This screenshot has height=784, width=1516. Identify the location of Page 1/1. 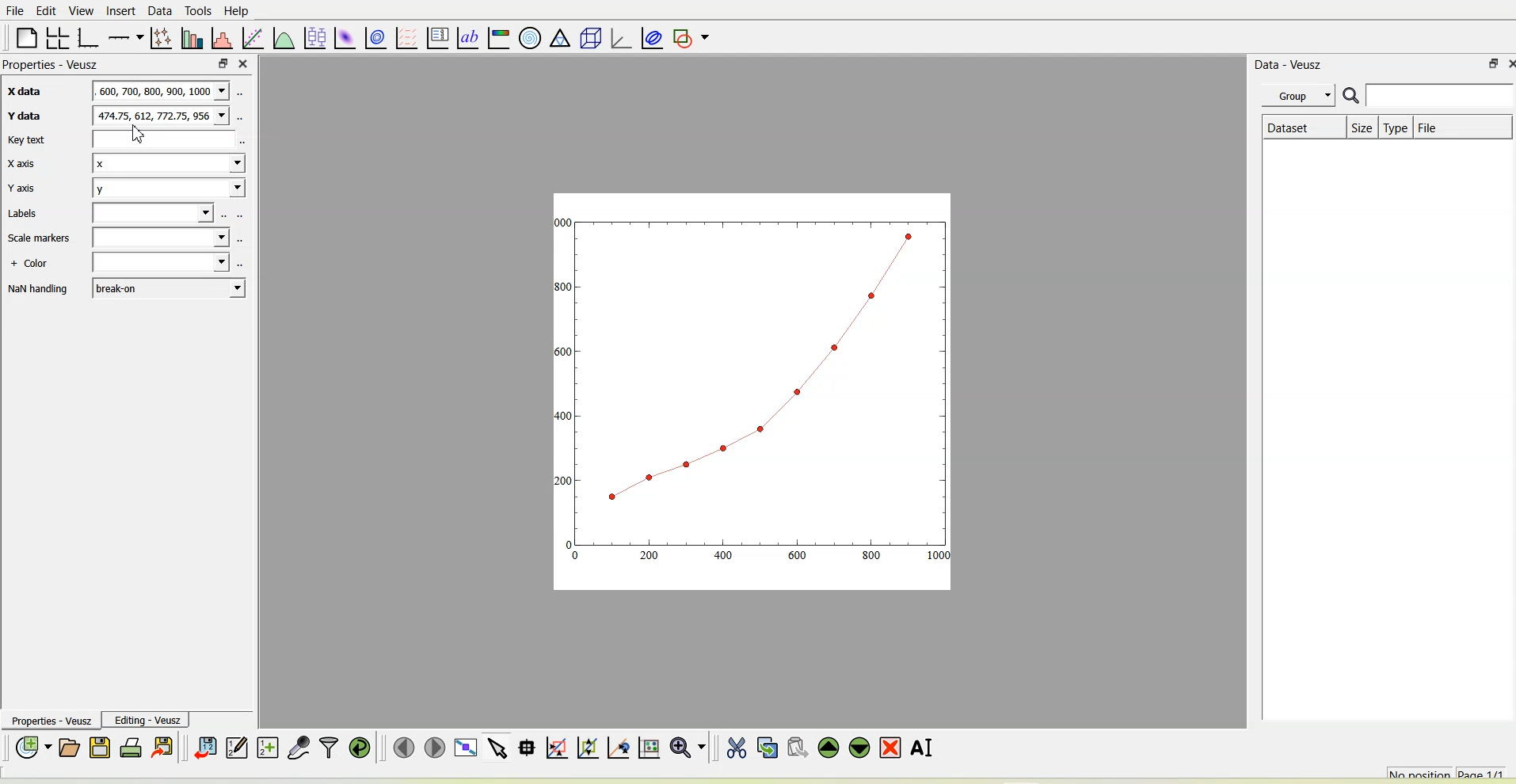
(1487, 772).